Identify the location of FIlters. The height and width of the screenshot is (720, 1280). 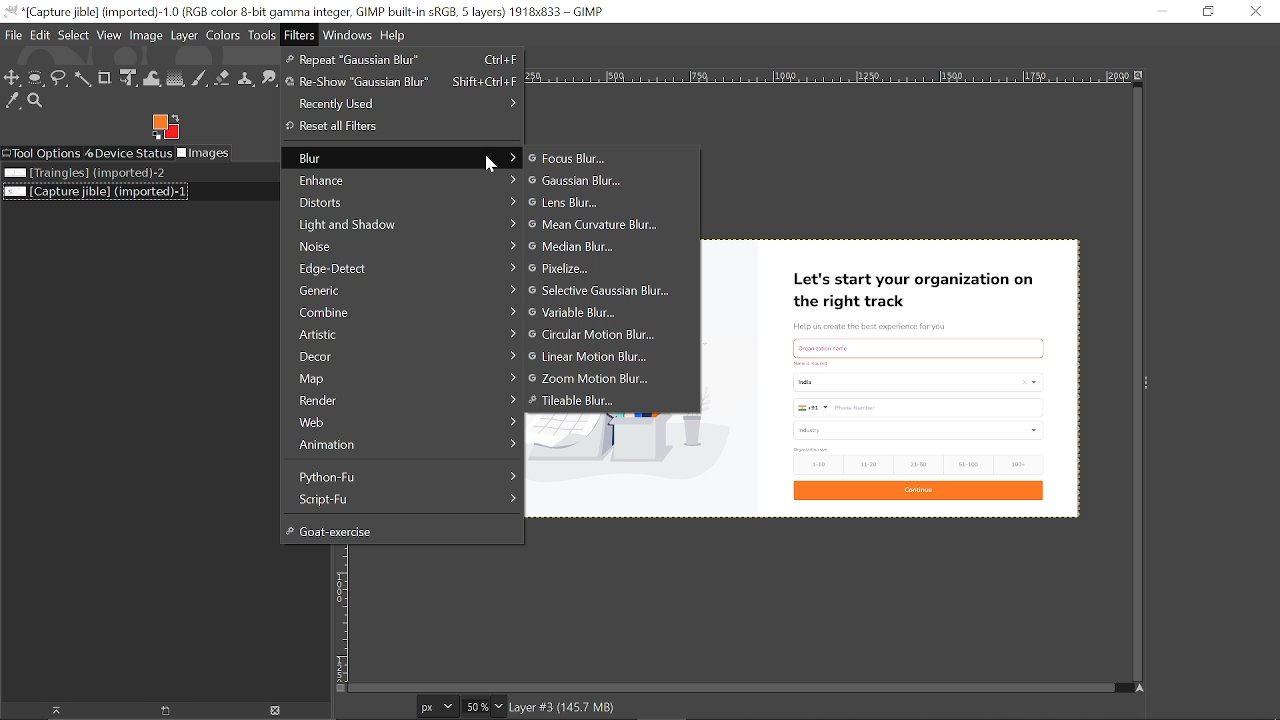
(301, 35).